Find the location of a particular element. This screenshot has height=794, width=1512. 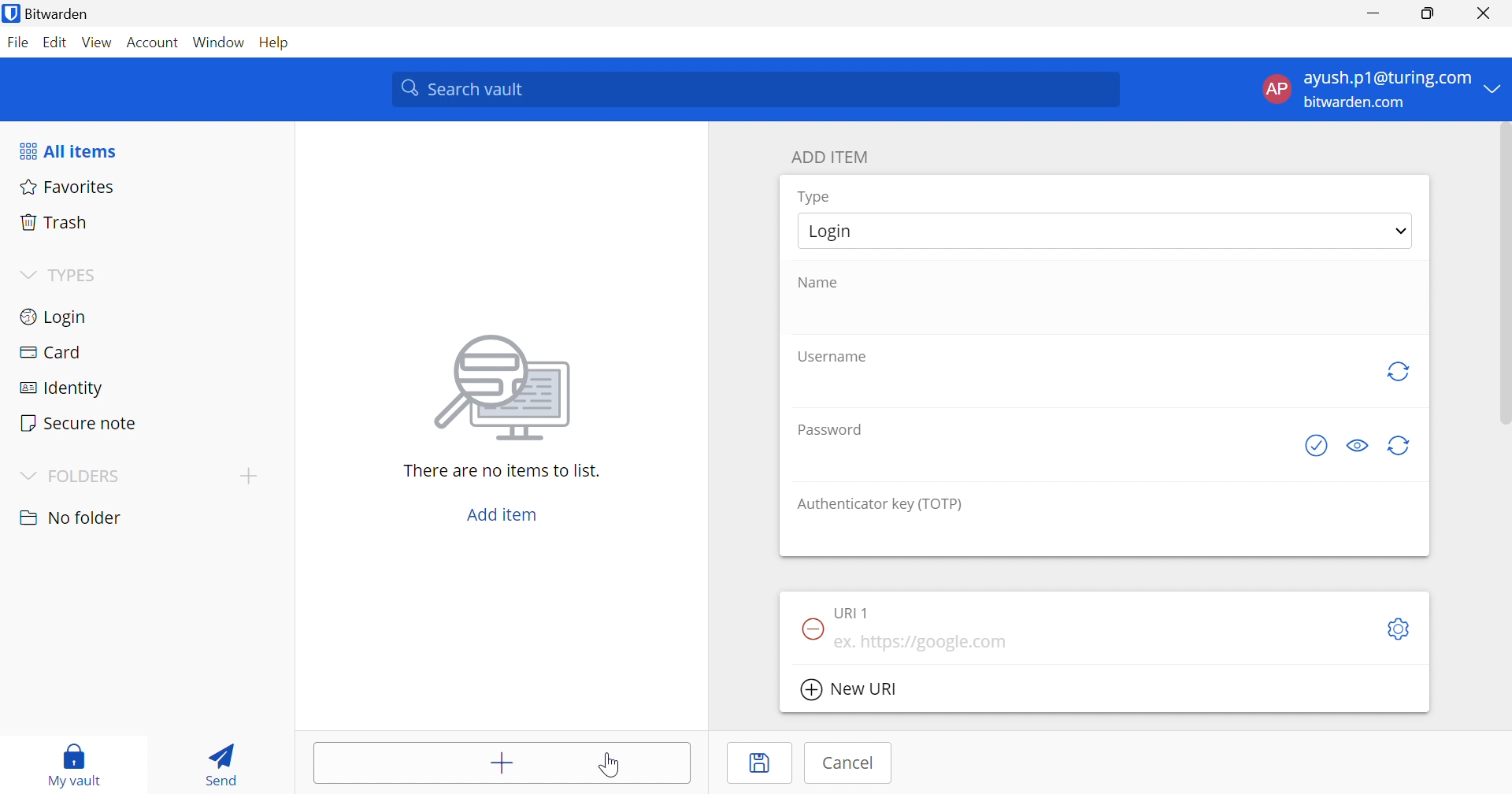

Add folder is located at coordinates (253, 475).